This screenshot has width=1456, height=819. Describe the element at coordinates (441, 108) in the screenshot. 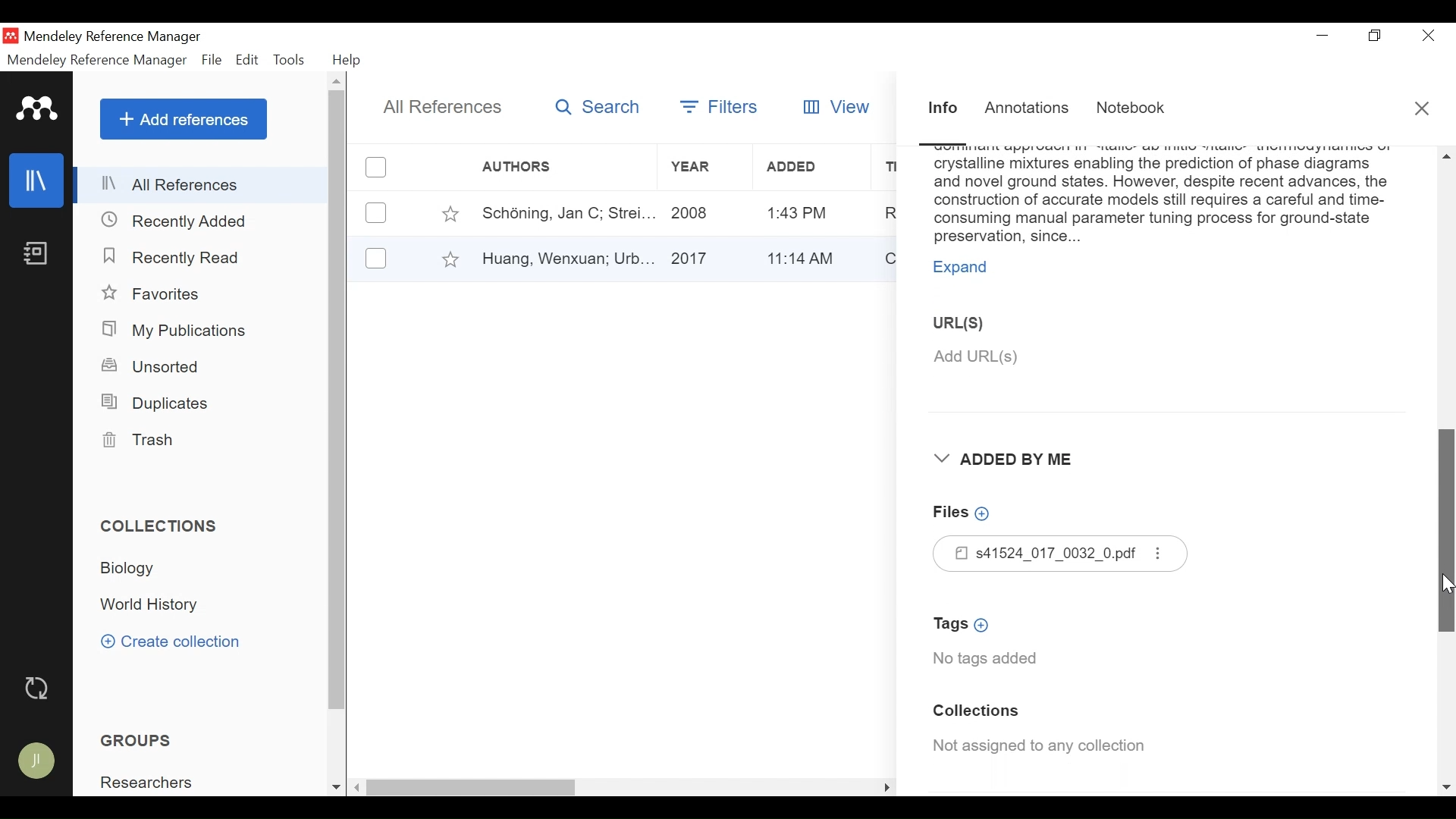

I see `All References` at that location.